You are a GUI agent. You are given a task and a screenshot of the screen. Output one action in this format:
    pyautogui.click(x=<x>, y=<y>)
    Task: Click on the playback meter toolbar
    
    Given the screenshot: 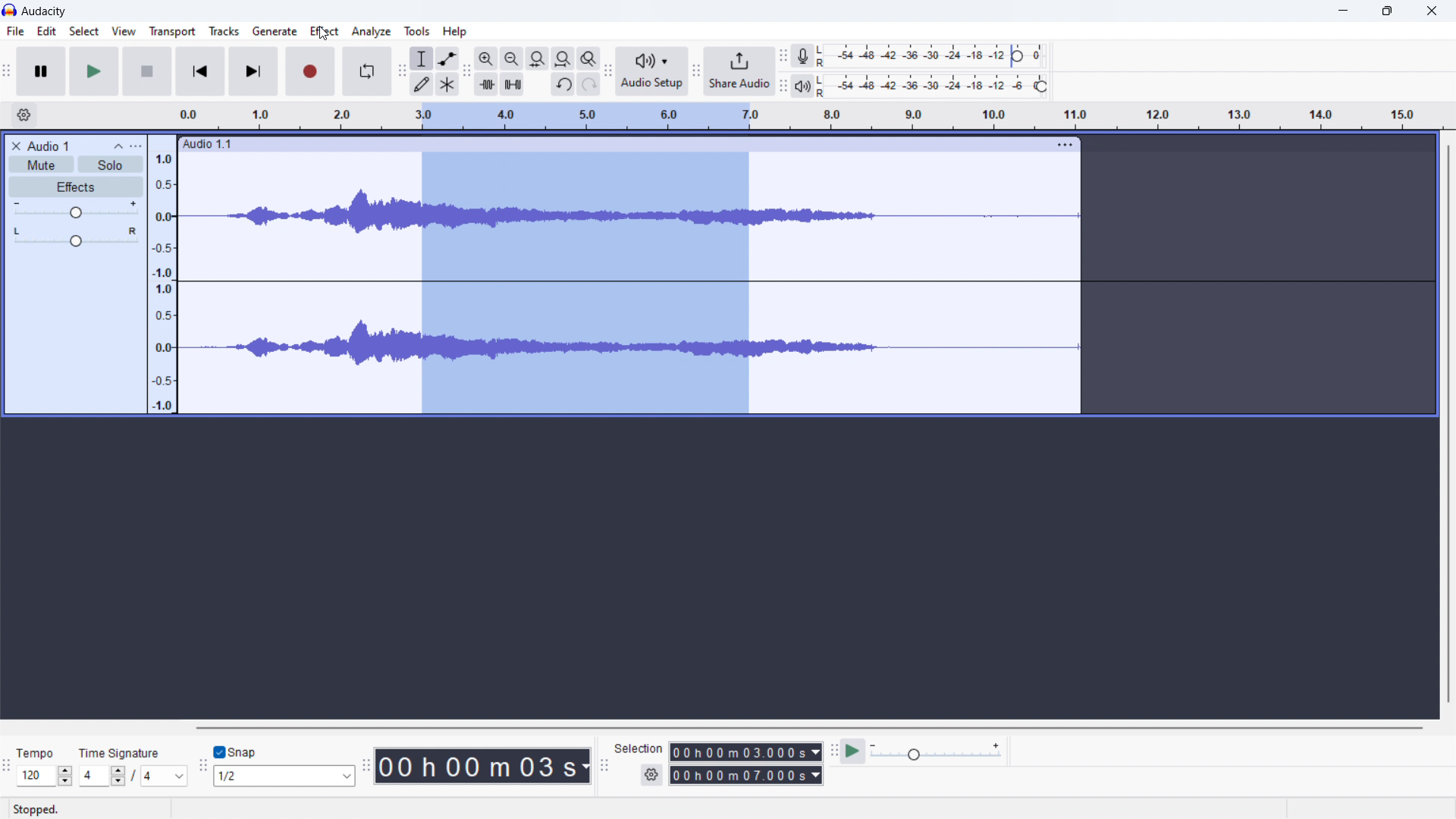 What is the action you would take?
    pyautogui.click(x=784, y=86)
    